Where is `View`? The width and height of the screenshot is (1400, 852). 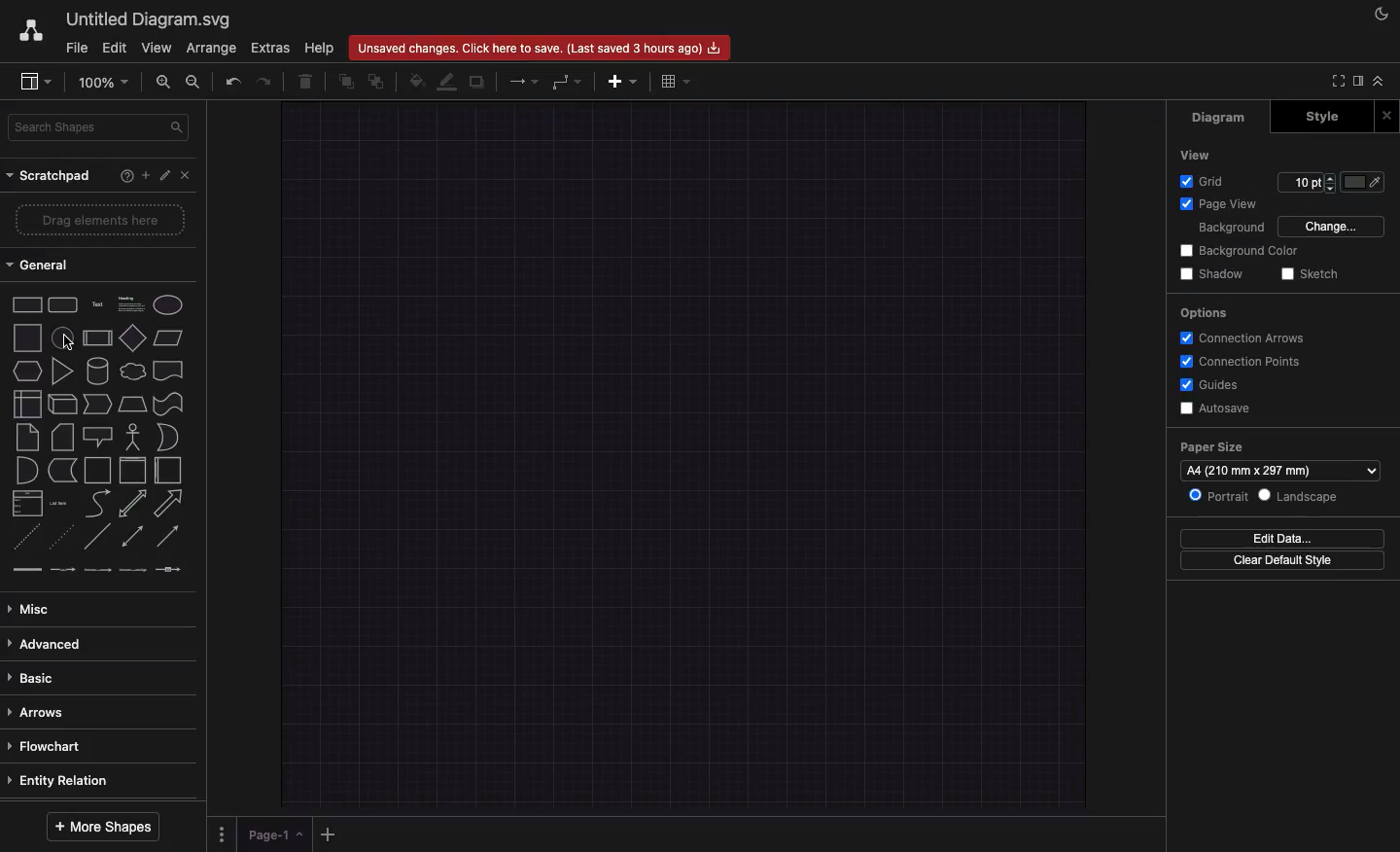
View is located at coordinates (1194, 155).